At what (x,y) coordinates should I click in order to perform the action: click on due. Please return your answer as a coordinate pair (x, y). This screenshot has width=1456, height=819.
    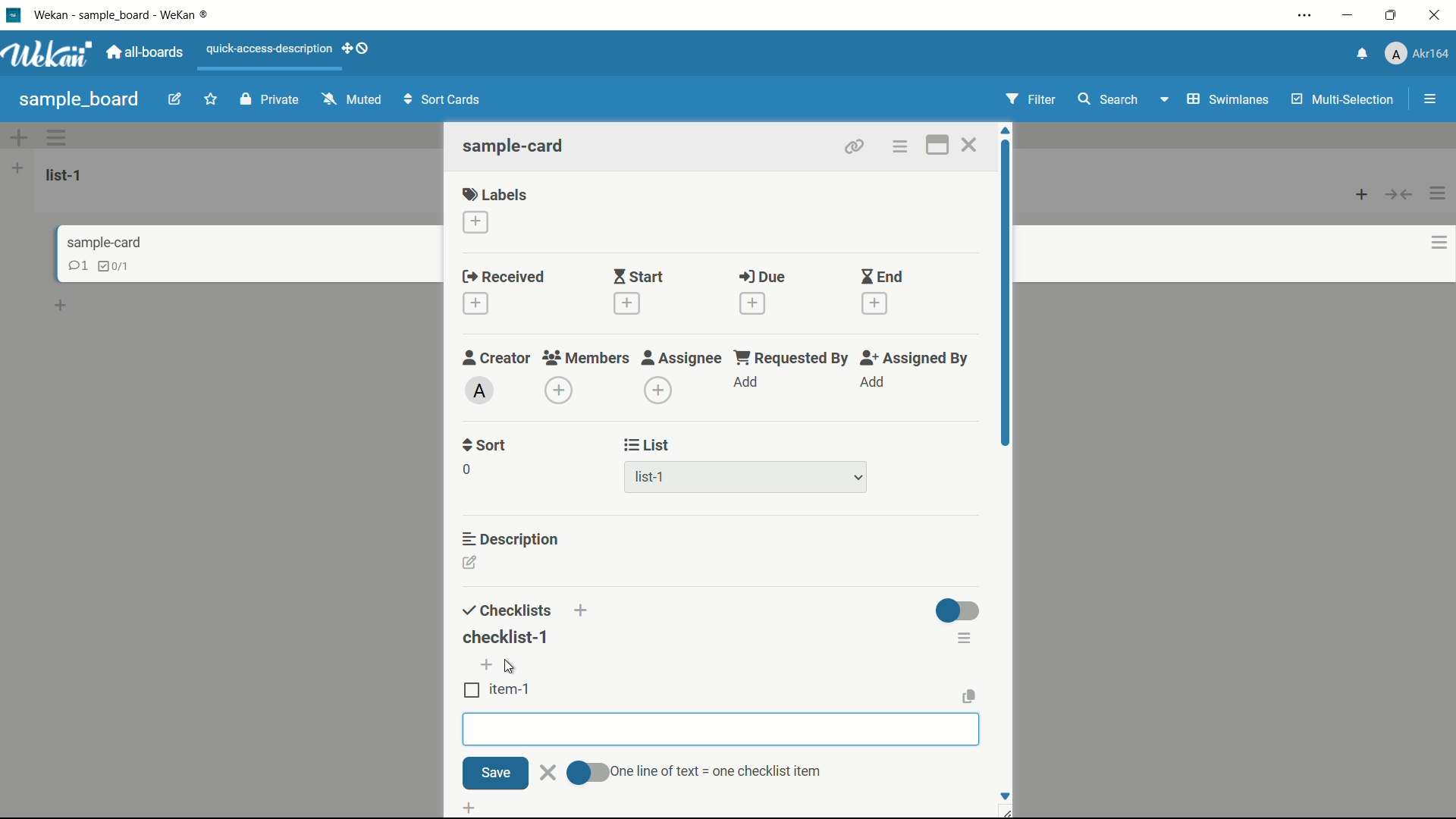
    Looking at the image, I should click on (762, 278).